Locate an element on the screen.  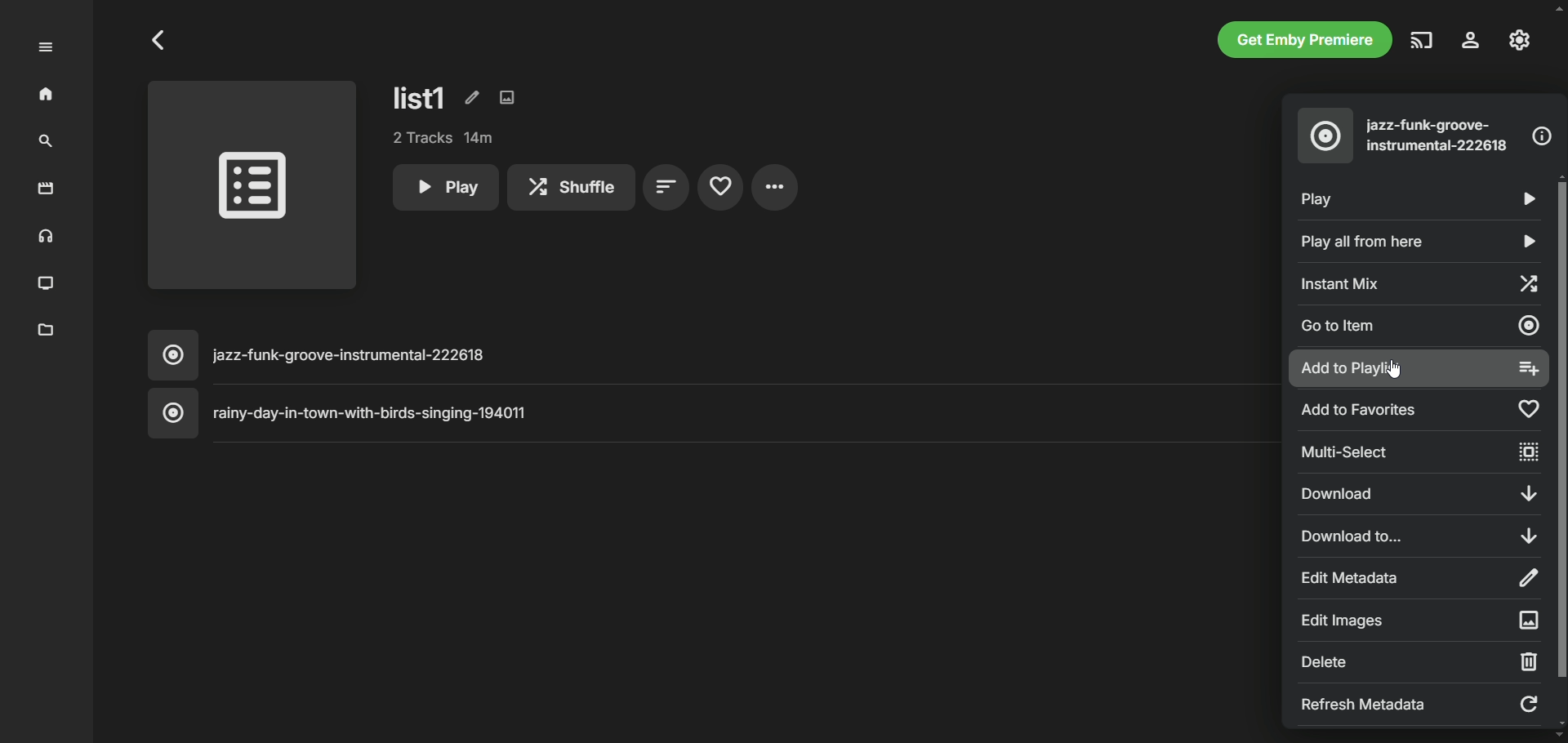
play on another device is located at coordinates (1423, 40).